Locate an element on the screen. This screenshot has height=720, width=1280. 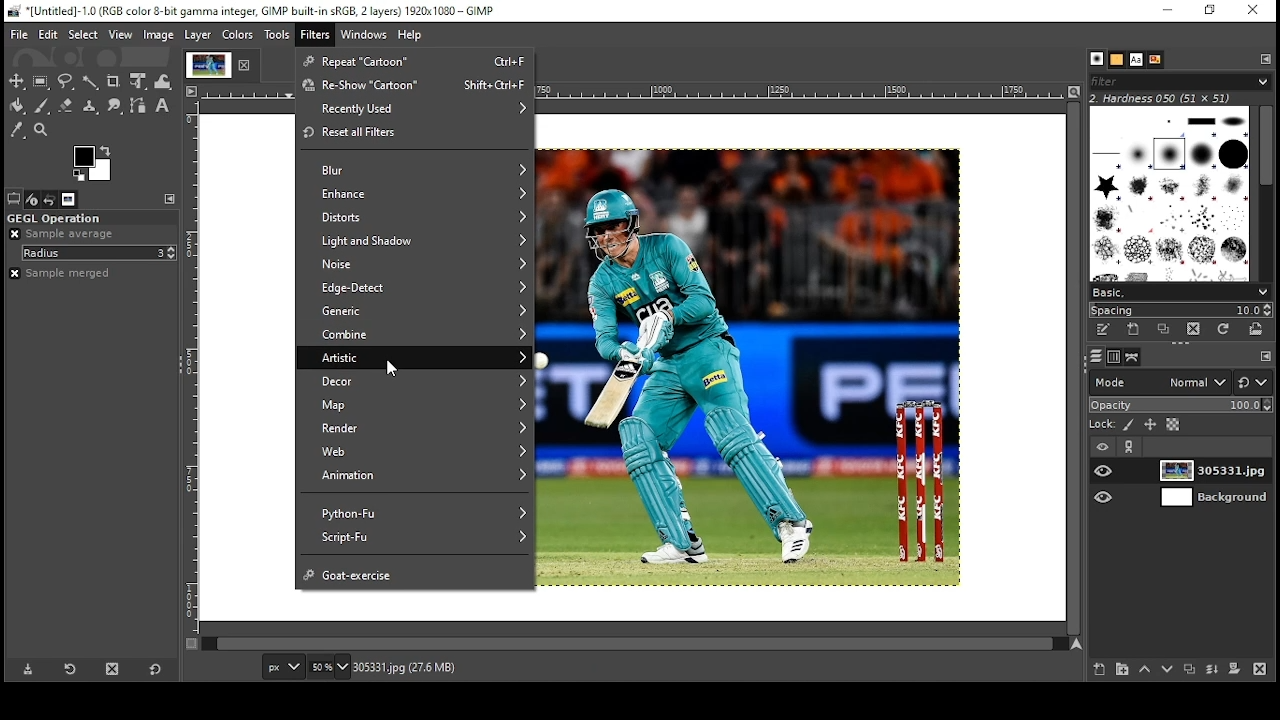
hardness 050 is located at coordinates (1175, 98).